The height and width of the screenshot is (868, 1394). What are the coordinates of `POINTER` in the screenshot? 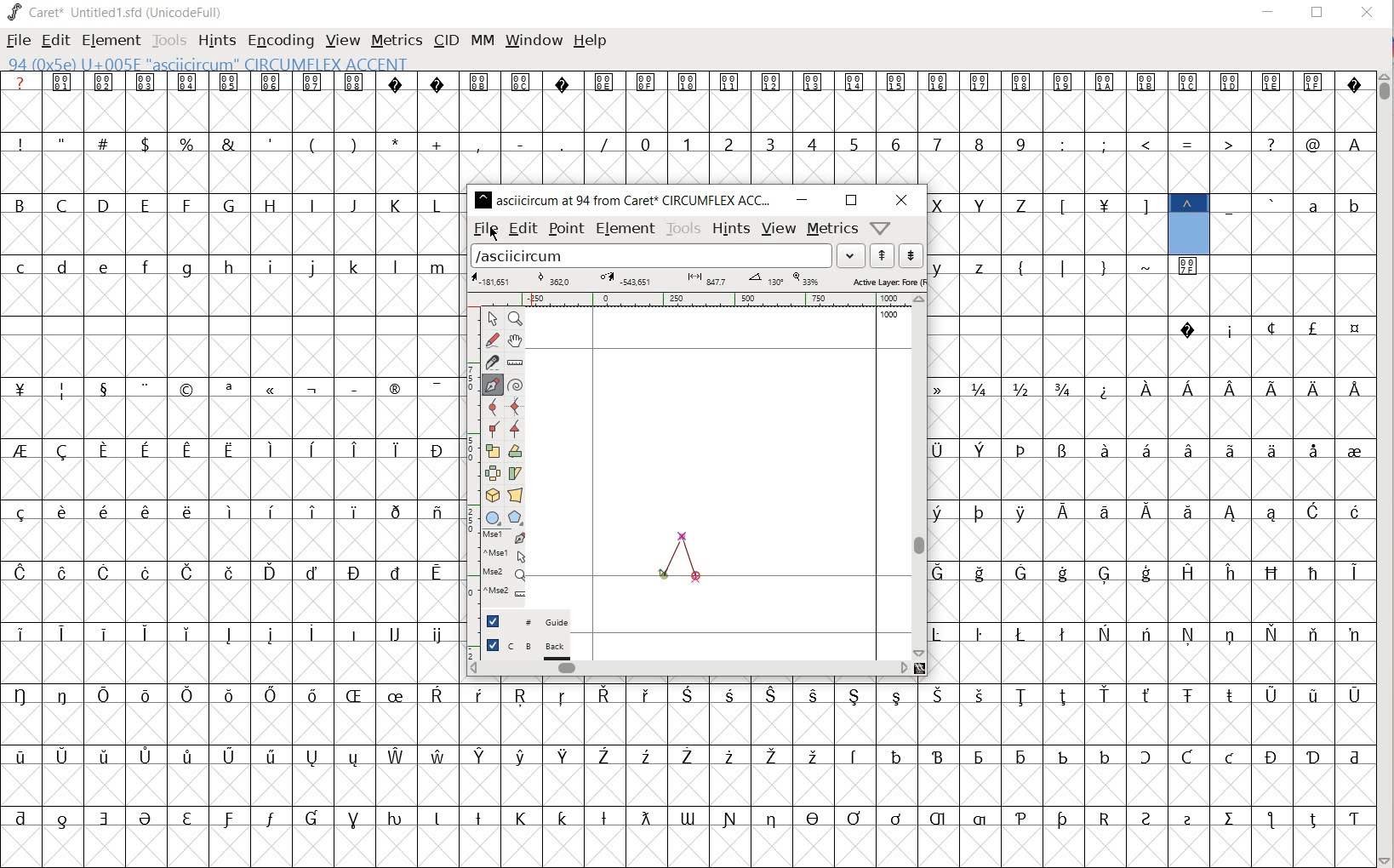 It's located at (494, 320).